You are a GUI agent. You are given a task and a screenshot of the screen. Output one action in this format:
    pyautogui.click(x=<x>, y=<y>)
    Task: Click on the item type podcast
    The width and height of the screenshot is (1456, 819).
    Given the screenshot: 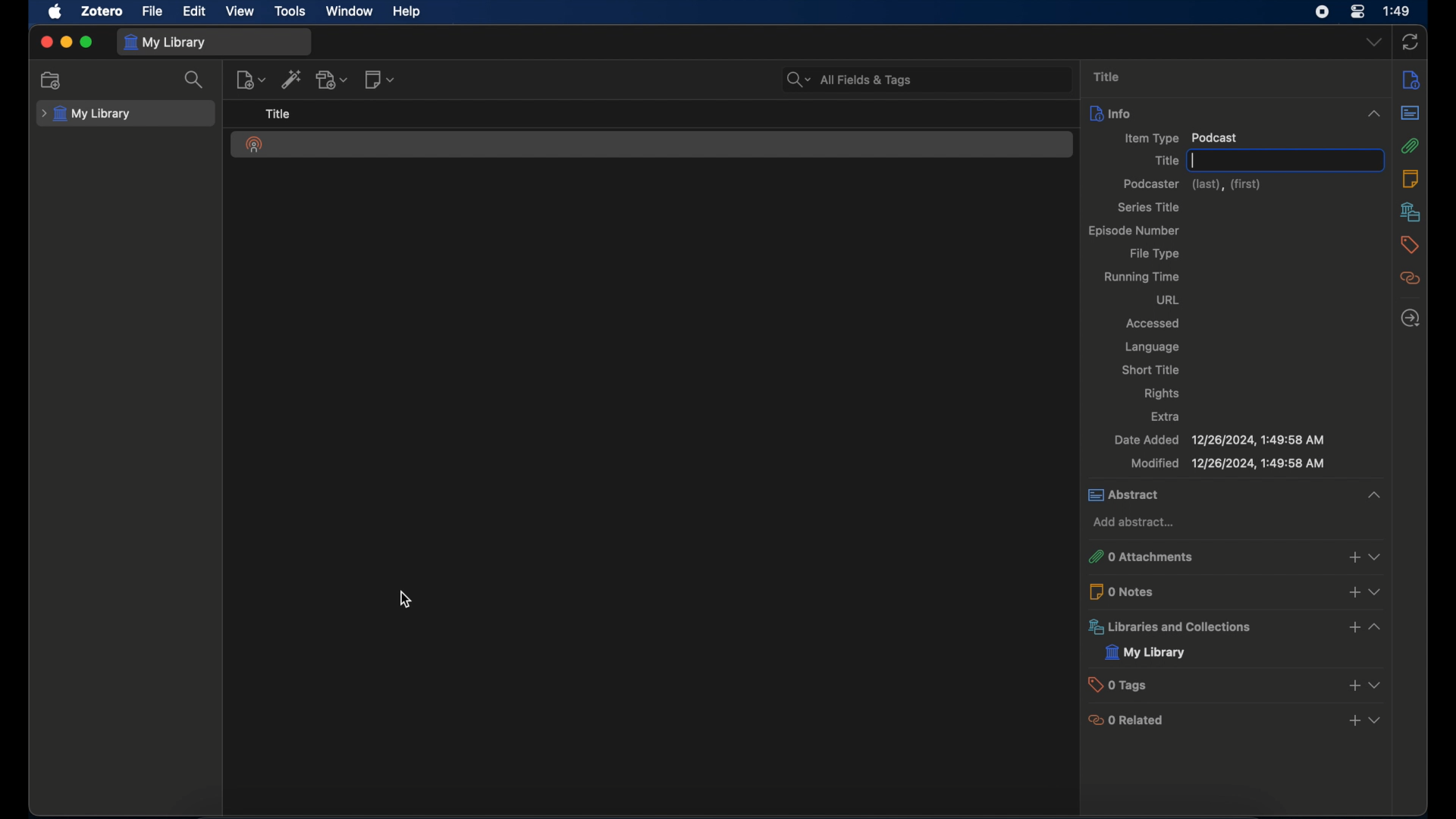 What is the action you would take?
    pyautogui.click(x=1182, y=138)
    